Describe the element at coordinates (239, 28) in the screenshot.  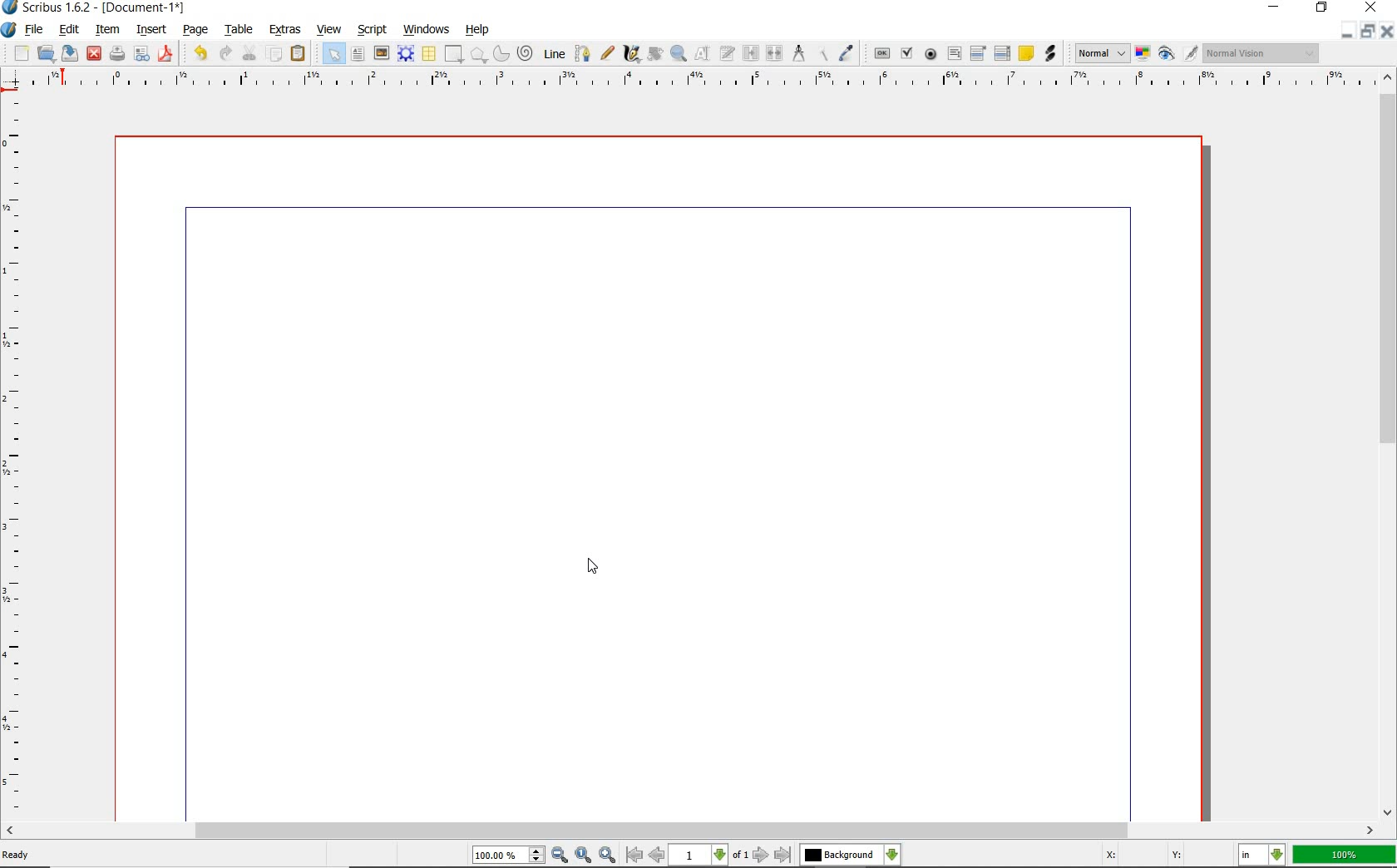
I see `table` at that location.